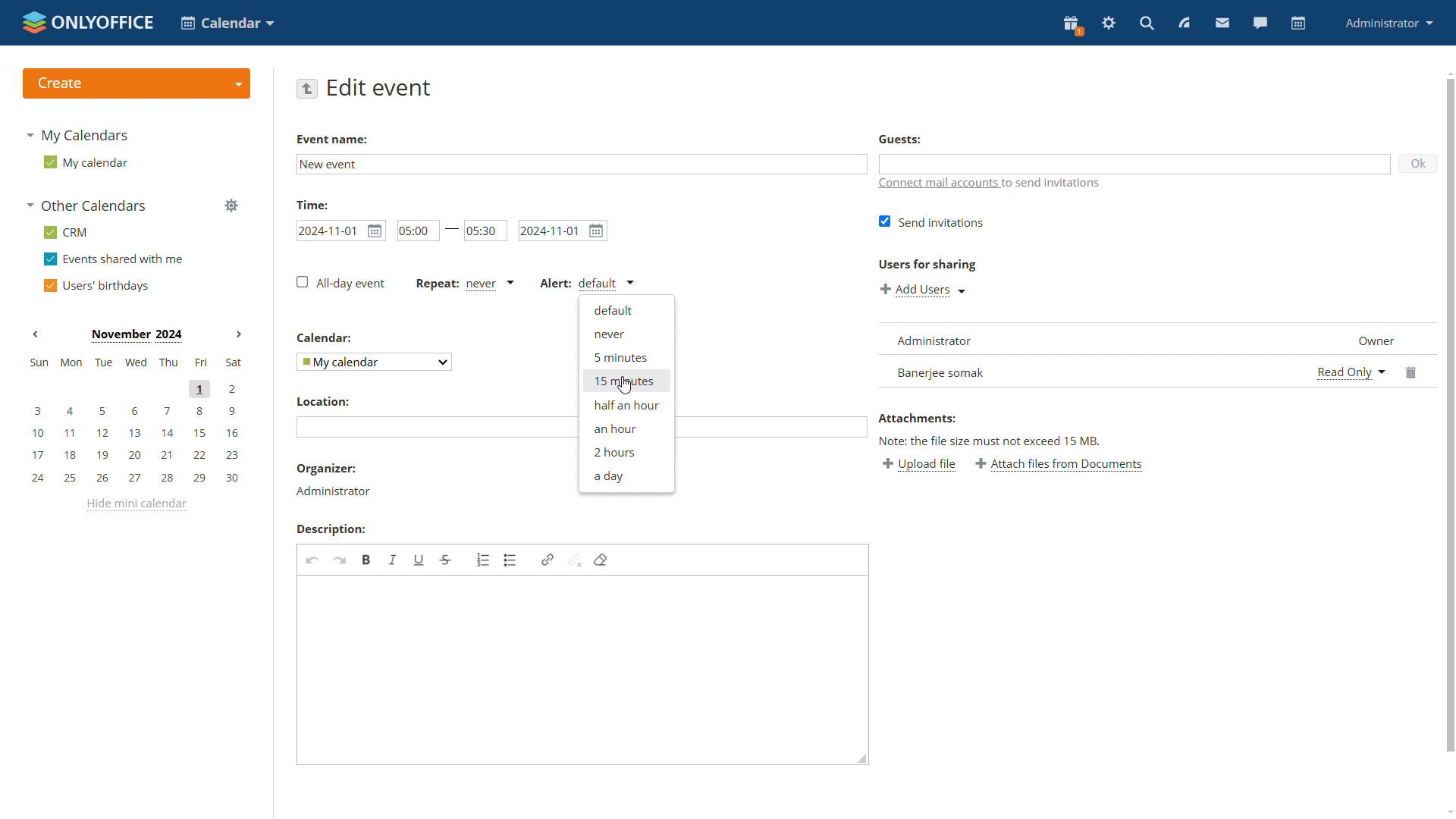  What do you see at coordinates (238, 334) in the screenshot?
I see `Next month` at bounding box center [238, 334].